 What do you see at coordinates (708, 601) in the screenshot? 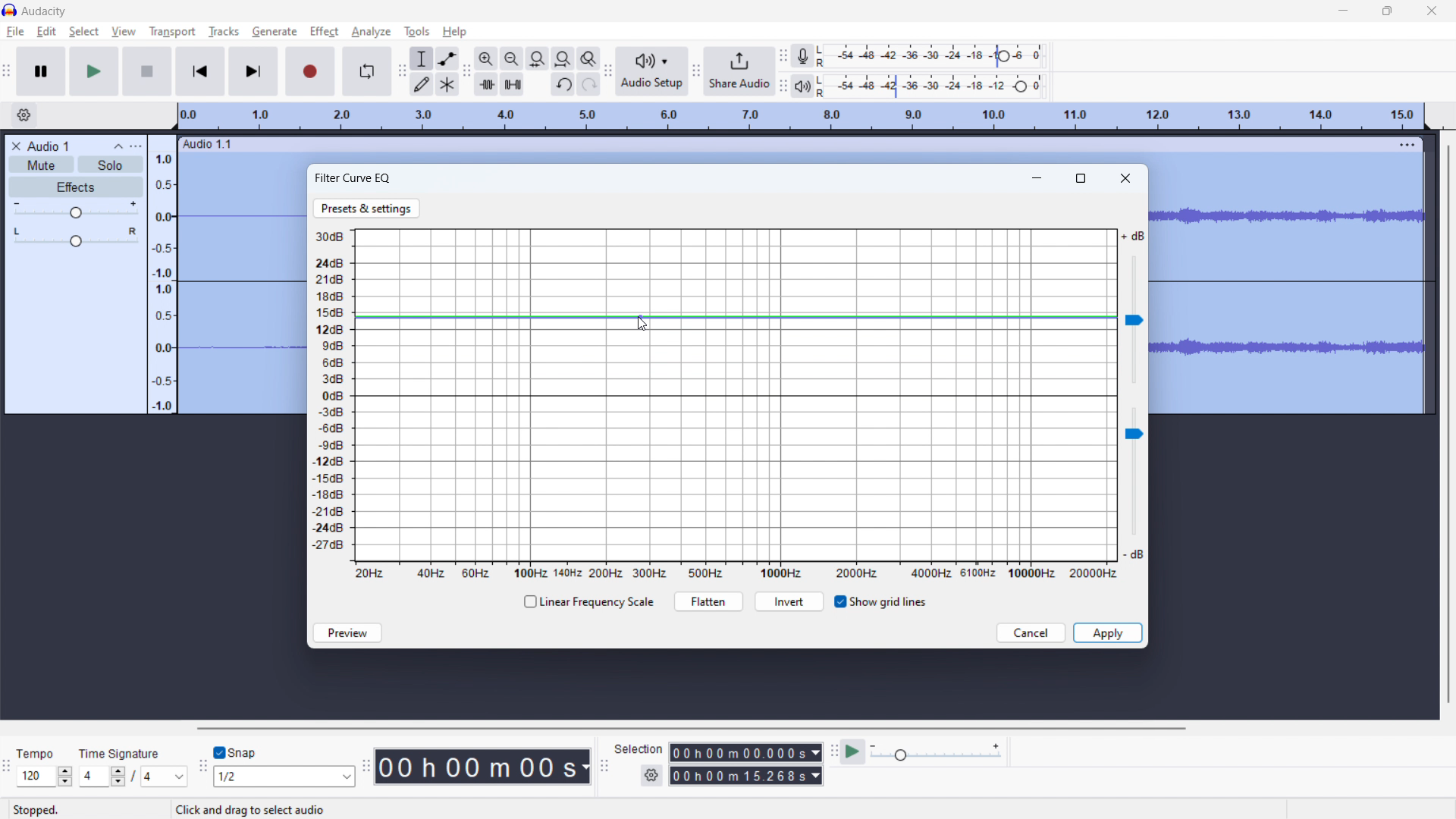
I see `flatten` at bounding box center [708, 601].